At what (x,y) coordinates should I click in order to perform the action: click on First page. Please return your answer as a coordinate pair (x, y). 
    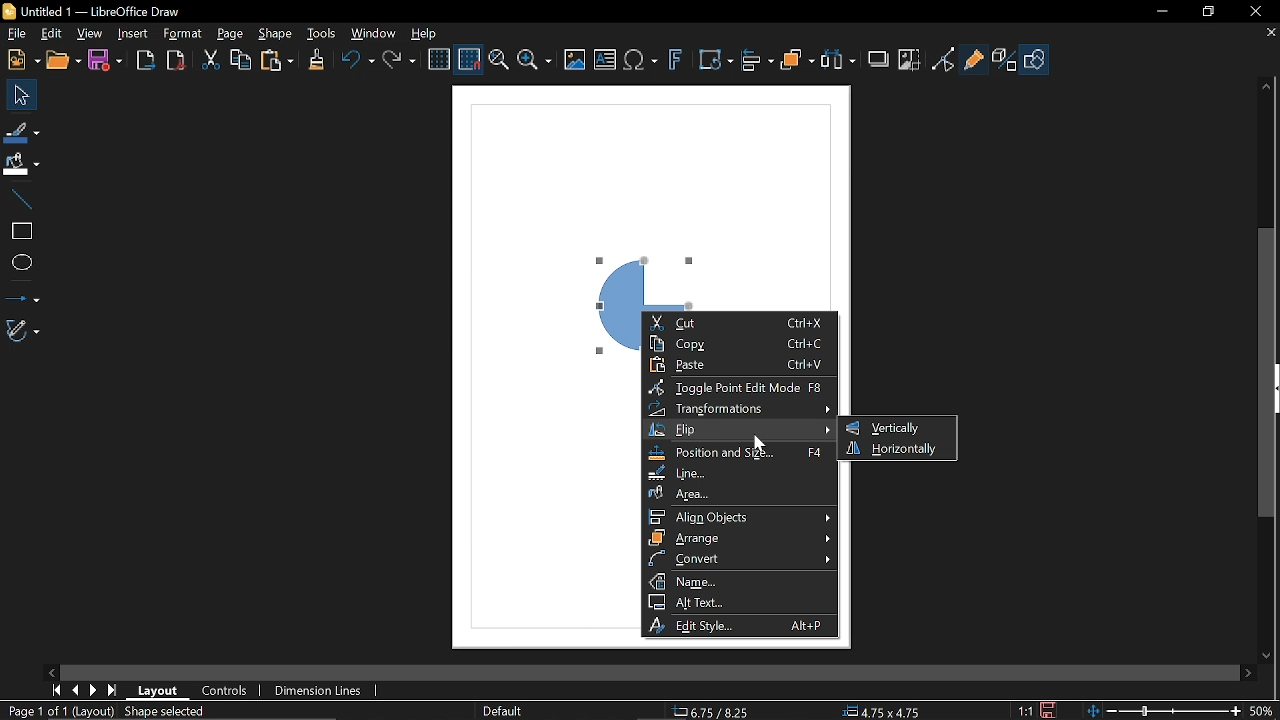
    Looking at the image, I should click on (56, 689).